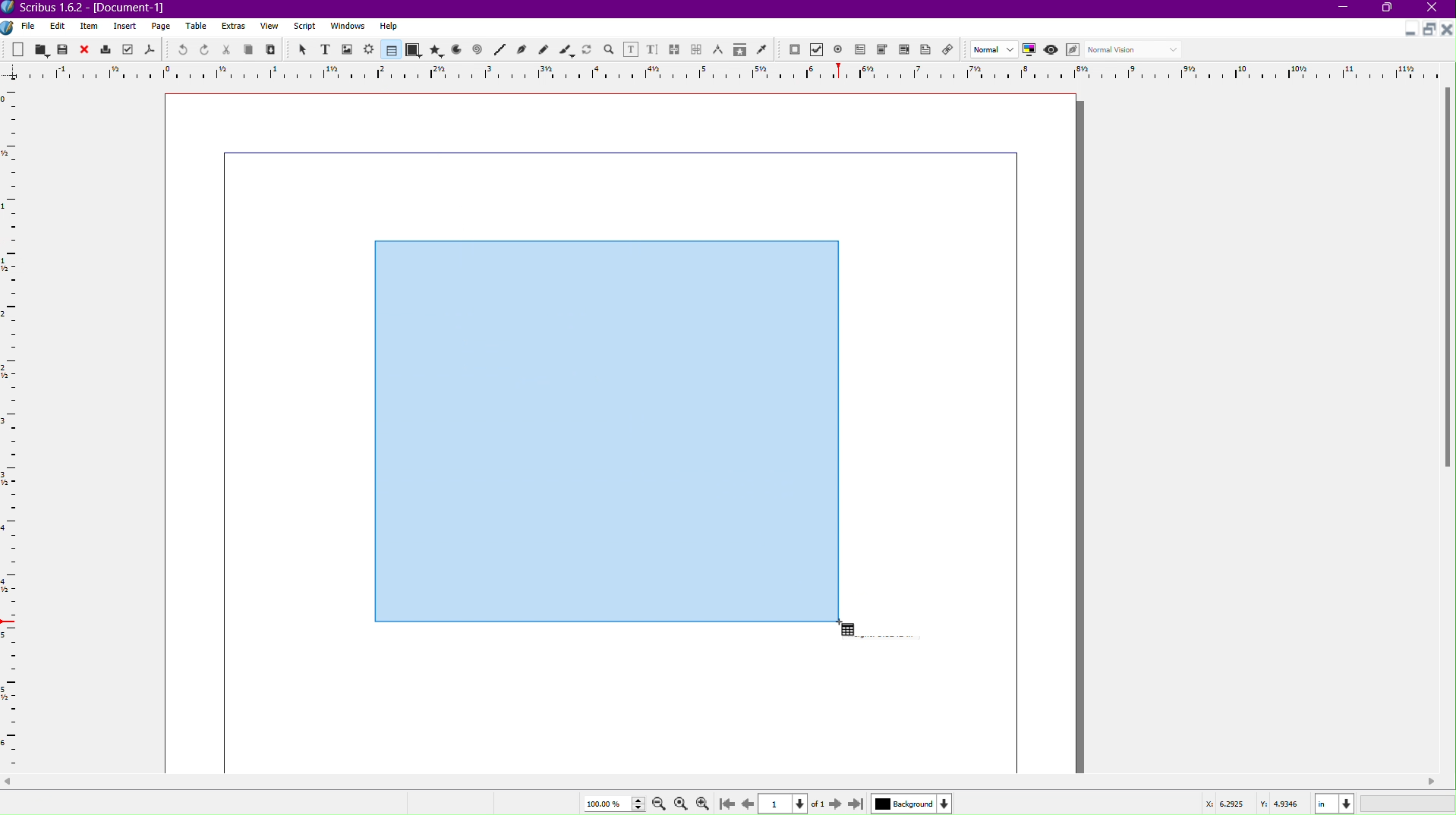  I want to click on Arc, so click(456, 51).